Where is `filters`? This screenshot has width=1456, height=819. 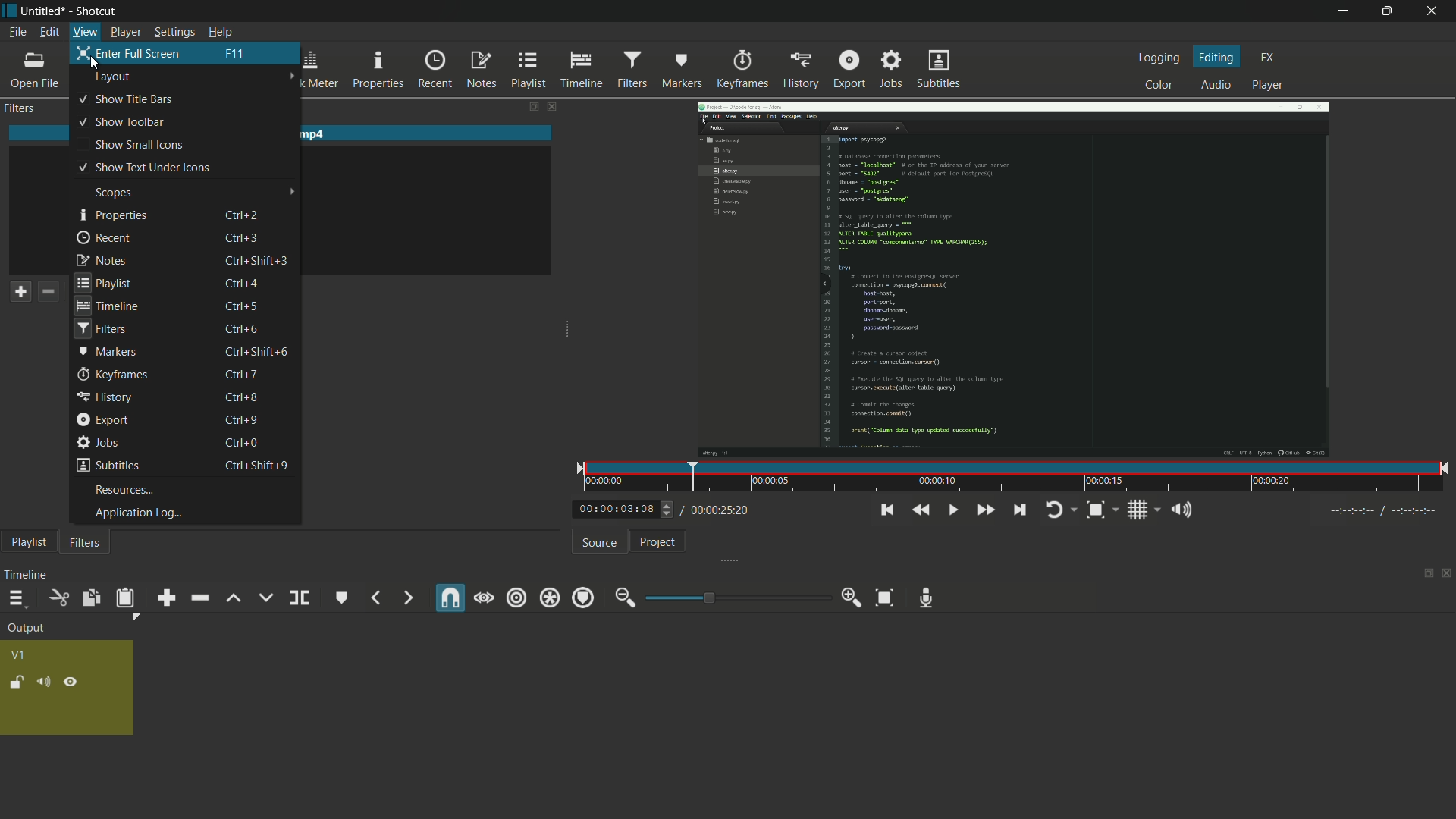
filters is located at coordinates (629, 67).